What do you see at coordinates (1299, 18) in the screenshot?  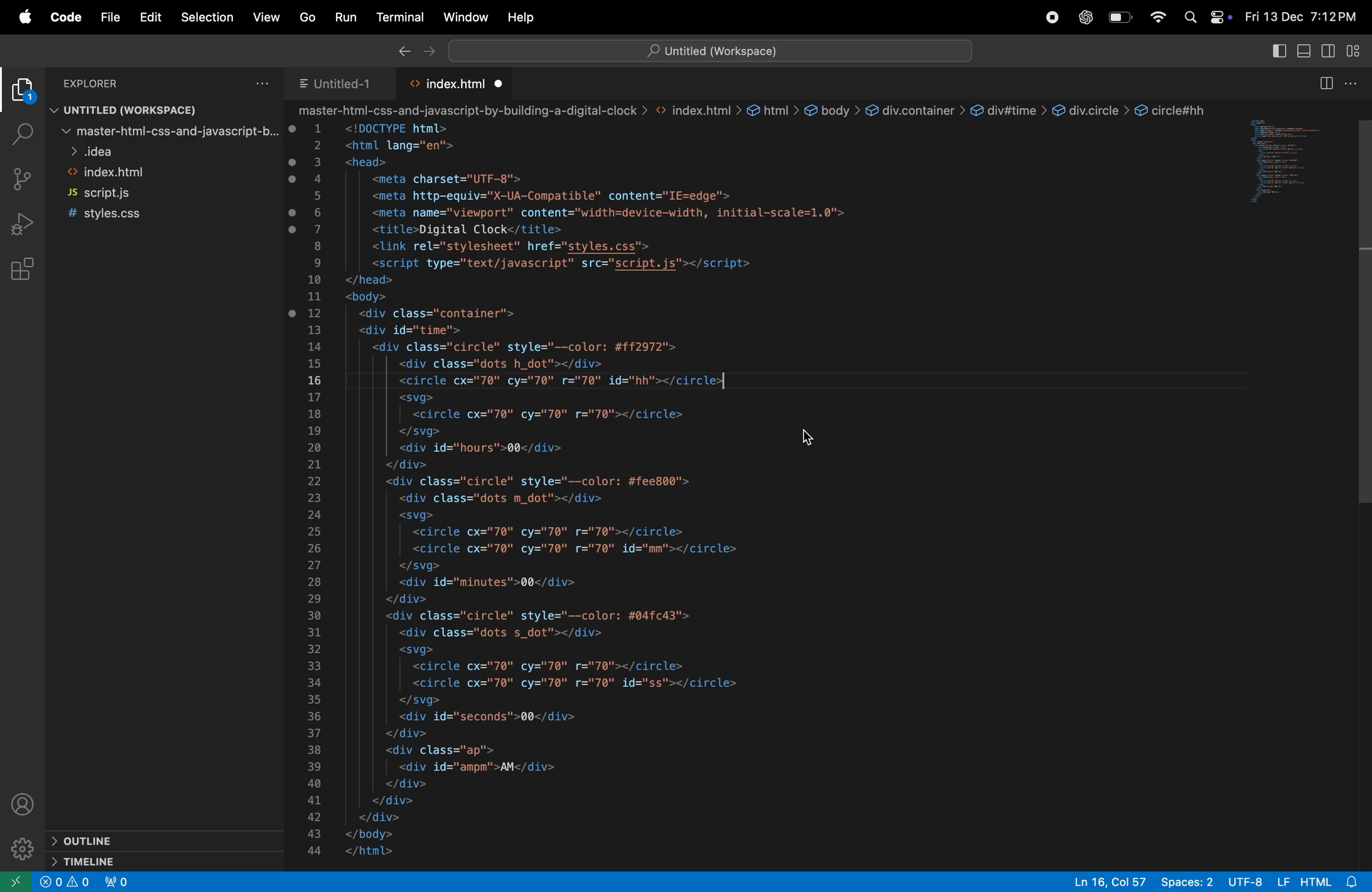 I see `date and time` at bounding box center [1299, 18].